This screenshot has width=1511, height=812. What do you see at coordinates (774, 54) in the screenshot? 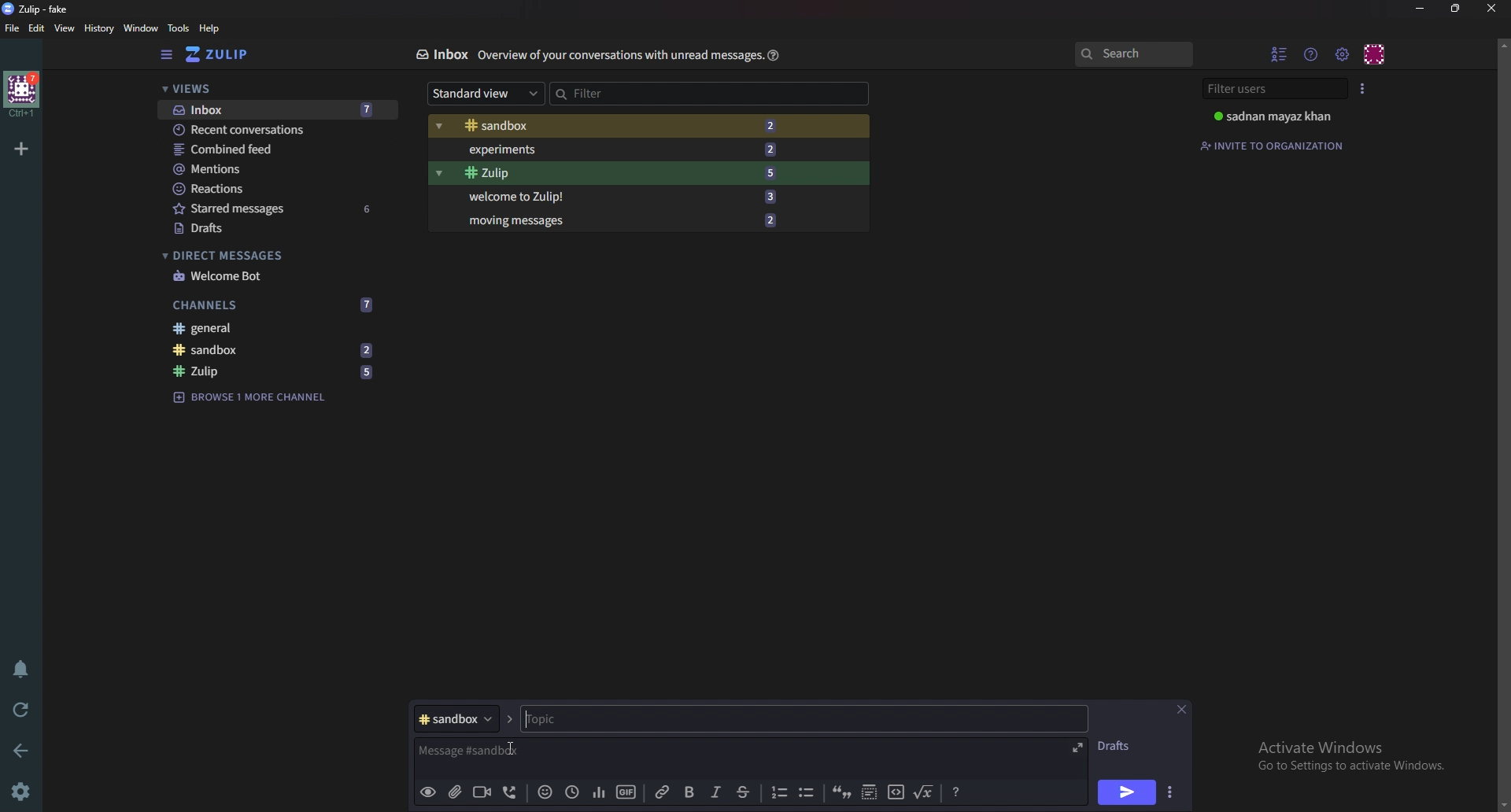
I see `Help` at bounding box center [774, 54].